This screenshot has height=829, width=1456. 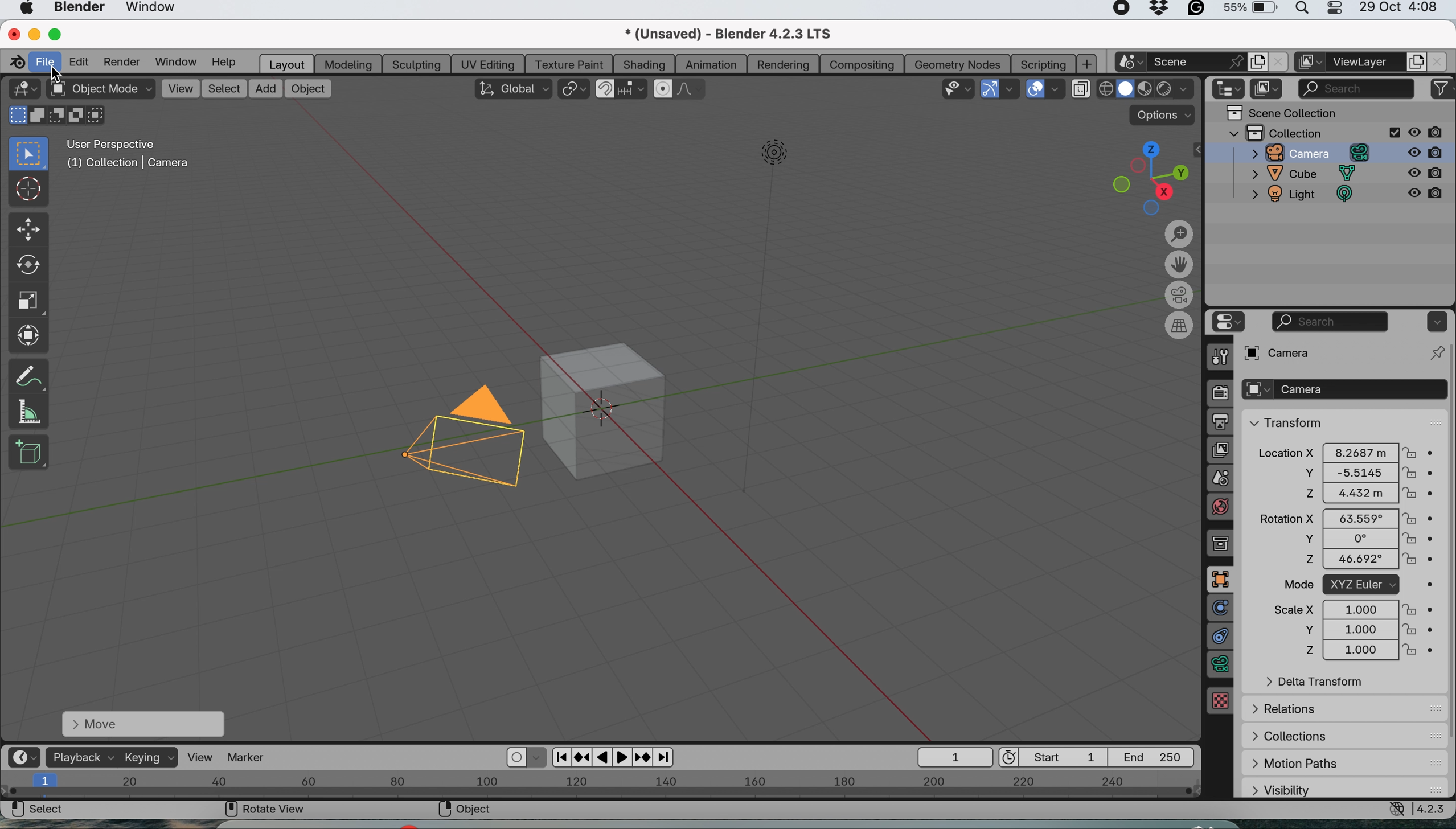 I want to click on horizontal scale, so click(x=601, y=783).